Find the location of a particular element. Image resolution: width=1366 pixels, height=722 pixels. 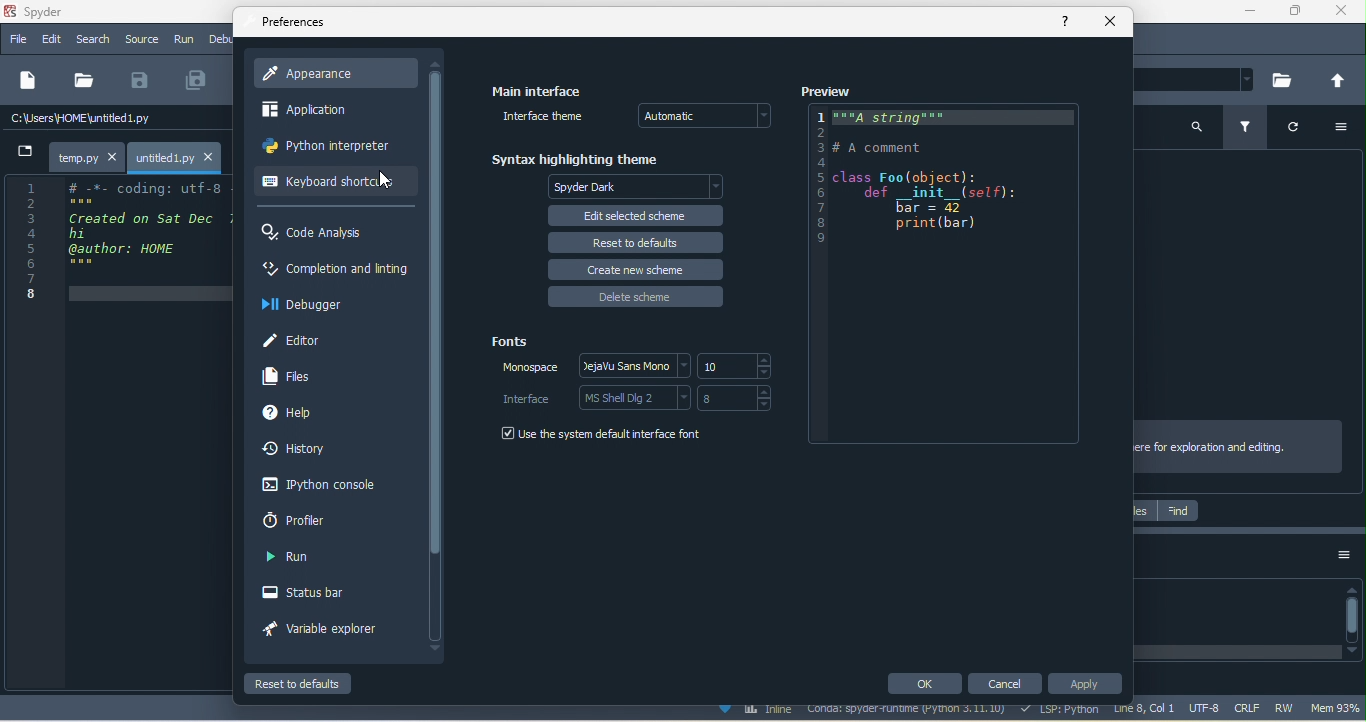

coding is located at coordinates (951, 278).